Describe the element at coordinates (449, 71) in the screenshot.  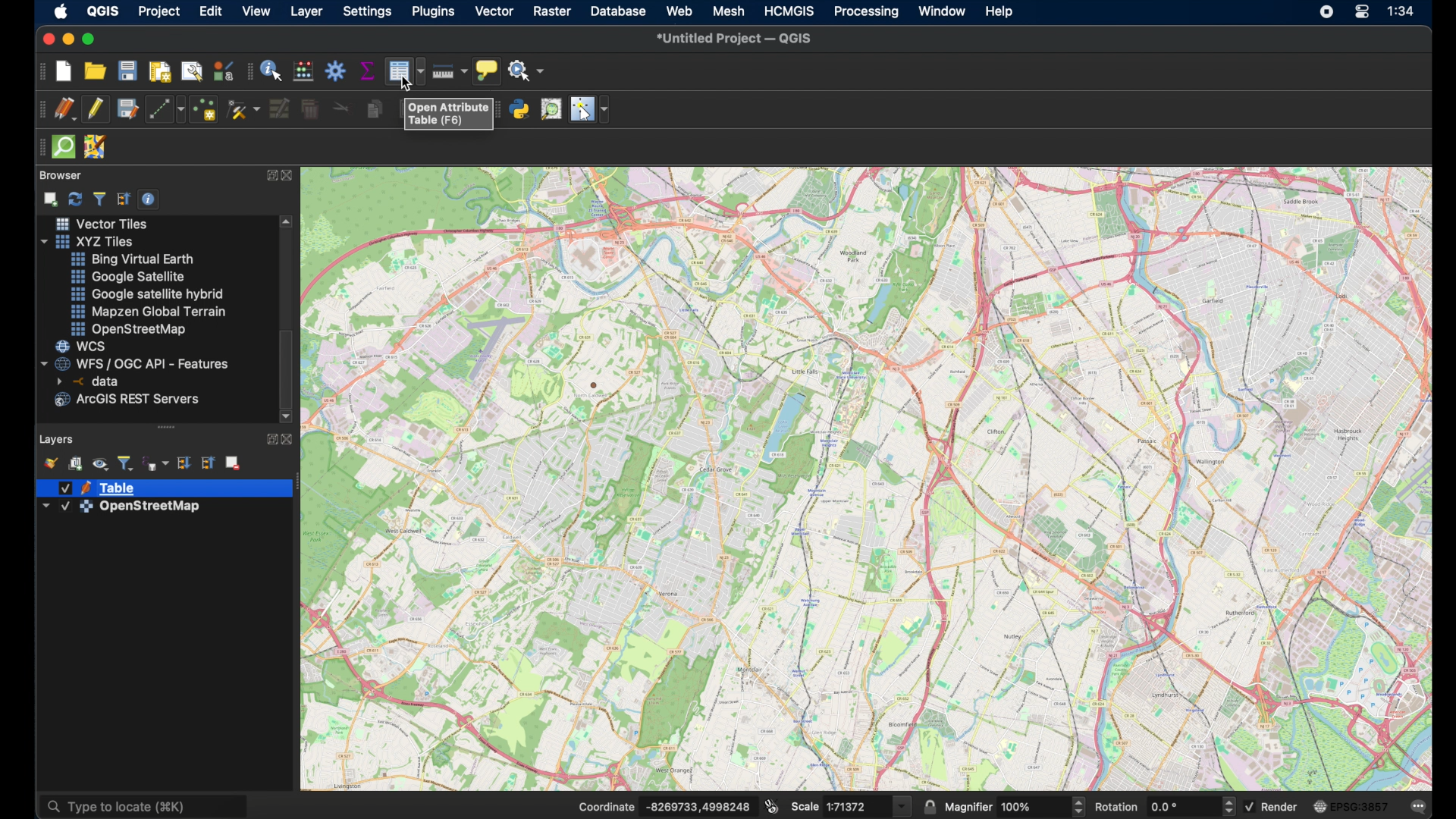
I see `measure line` at that location.